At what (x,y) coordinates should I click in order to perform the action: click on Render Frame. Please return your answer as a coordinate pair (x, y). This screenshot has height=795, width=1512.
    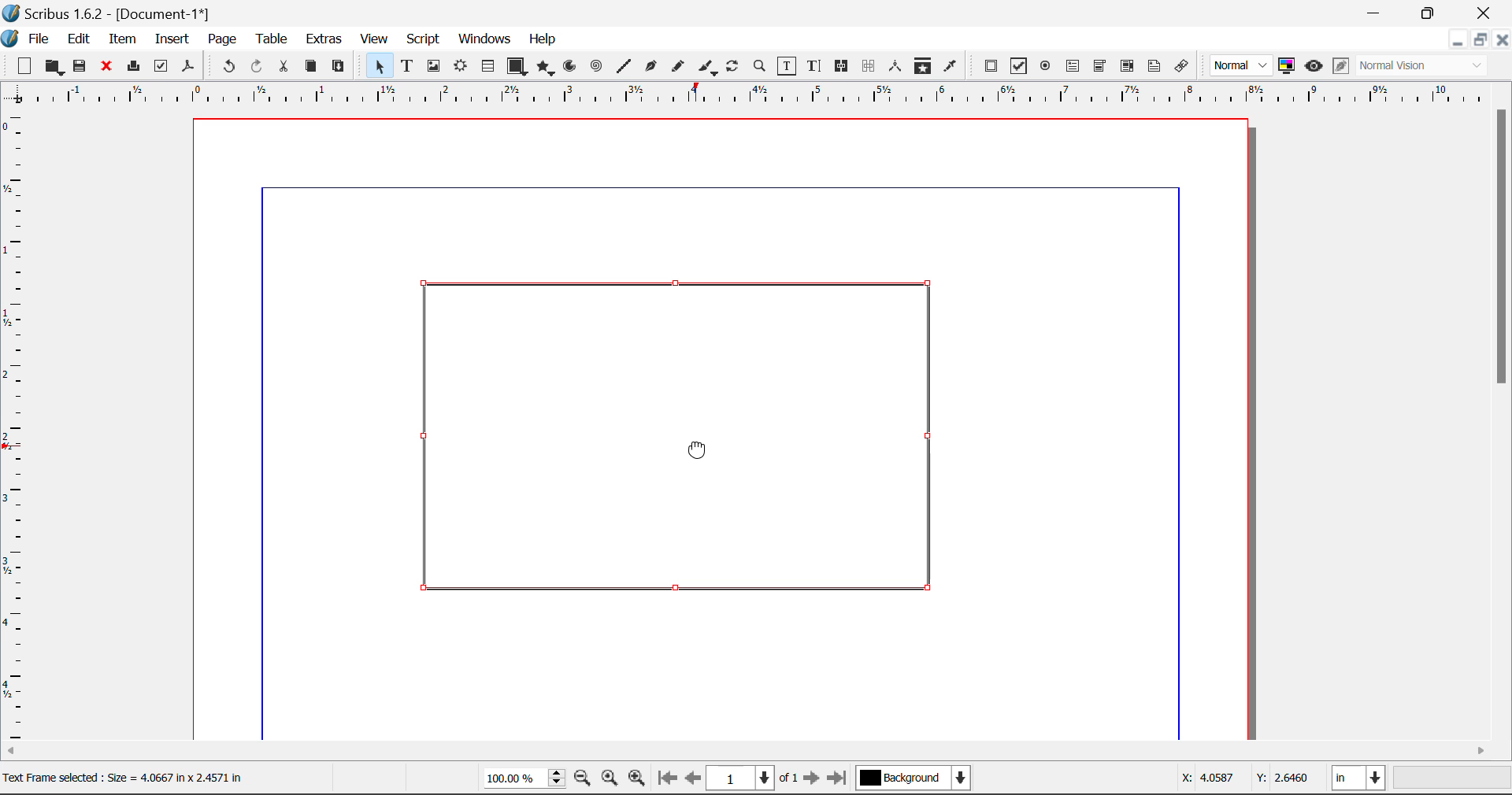
    Looking at the image, I should click on (460, 67).